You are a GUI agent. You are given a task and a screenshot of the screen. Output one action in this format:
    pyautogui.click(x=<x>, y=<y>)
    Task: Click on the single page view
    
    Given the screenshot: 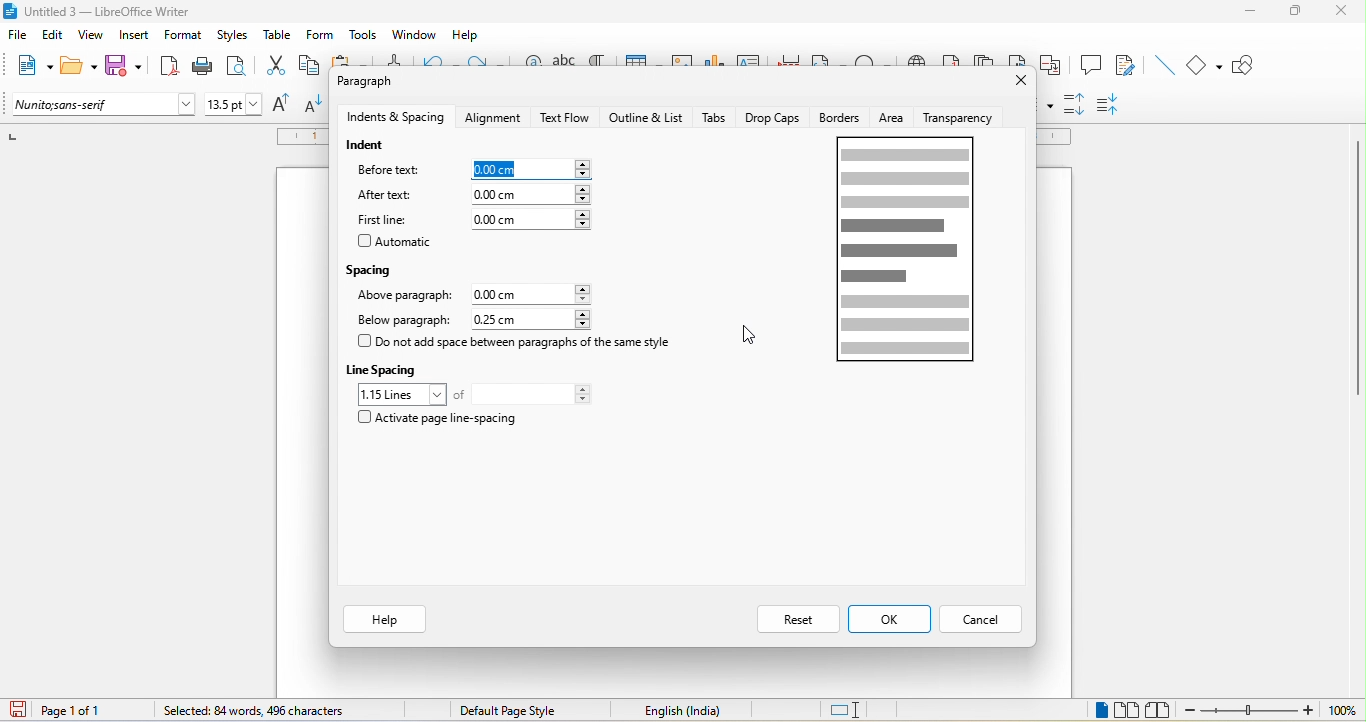 What is the action you would take?
    pyautogui.click(x=1092, y=711)
    